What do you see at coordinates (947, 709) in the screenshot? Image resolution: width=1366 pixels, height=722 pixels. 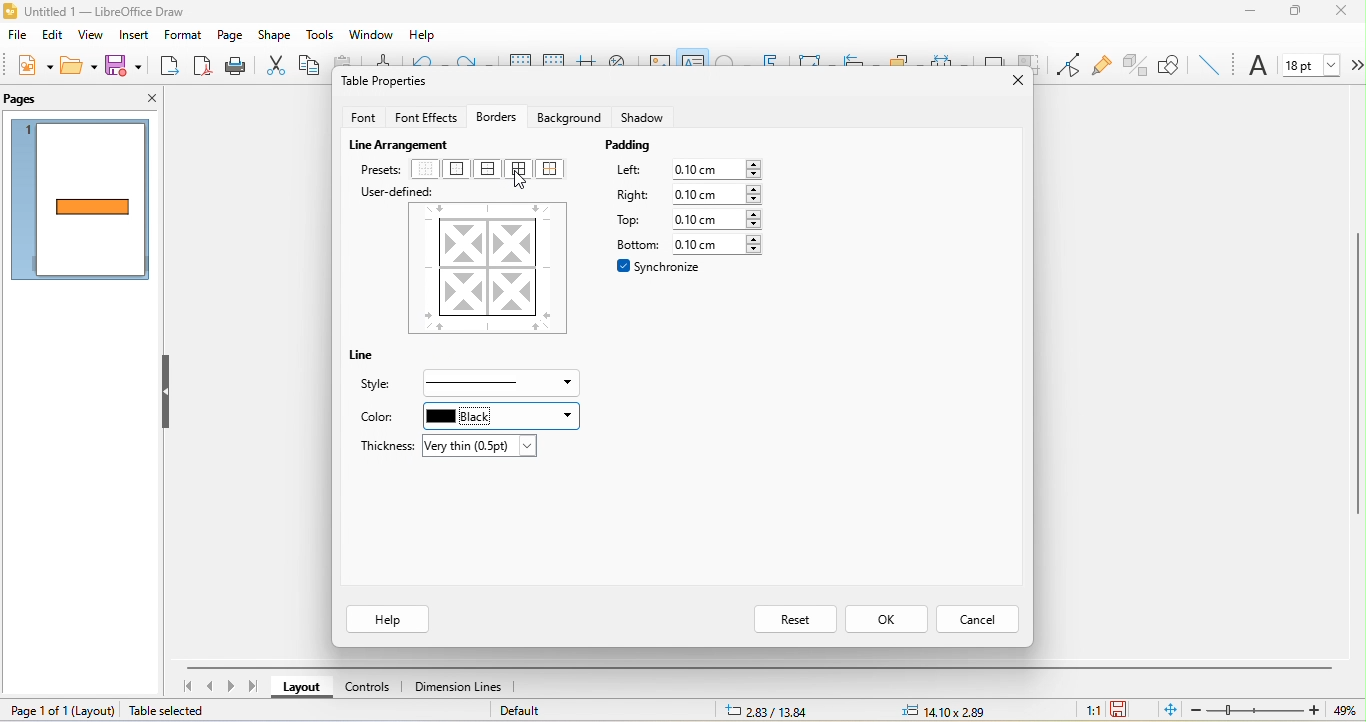 I see `14.10x2.89` at bounding box center [947, 709].